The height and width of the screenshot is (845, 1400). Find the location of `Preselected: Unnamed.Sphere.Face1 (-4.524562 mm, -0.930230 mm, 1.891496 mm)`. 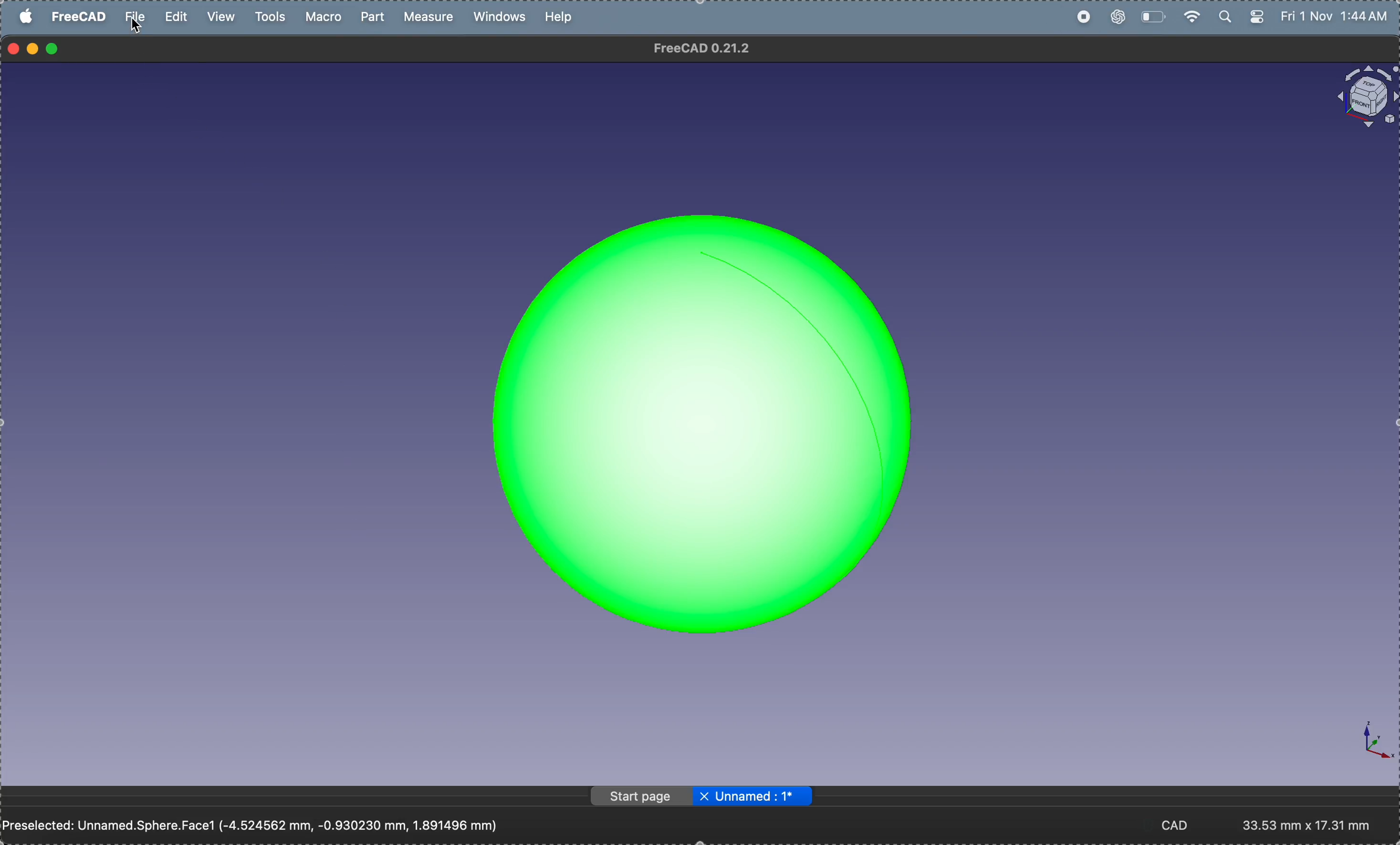

Preselected: Unnamed.Sphere.Face1 (-4.524562 mm, -0.930230 mm, 1.891496 mm) is located at coordinates (260, 822).